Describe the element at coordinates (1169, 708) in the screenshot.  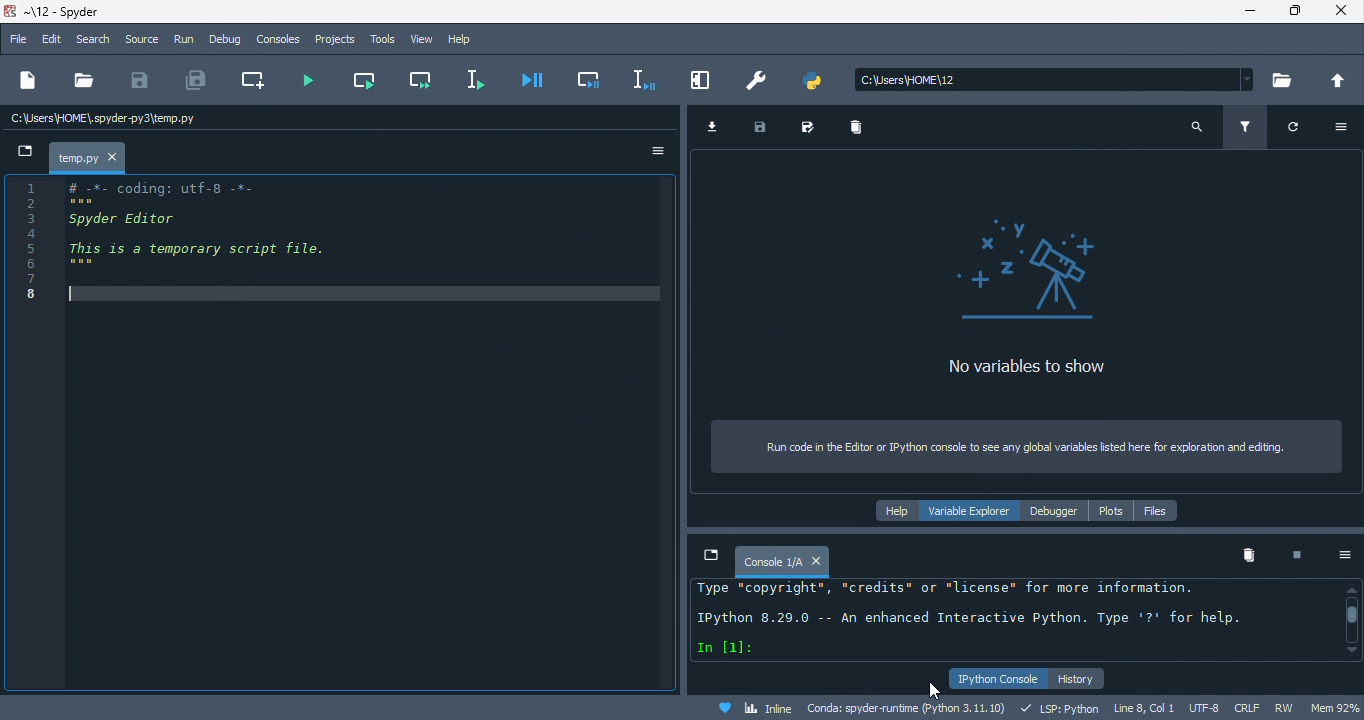
I see `line 8, col1 utf 8` at that location.